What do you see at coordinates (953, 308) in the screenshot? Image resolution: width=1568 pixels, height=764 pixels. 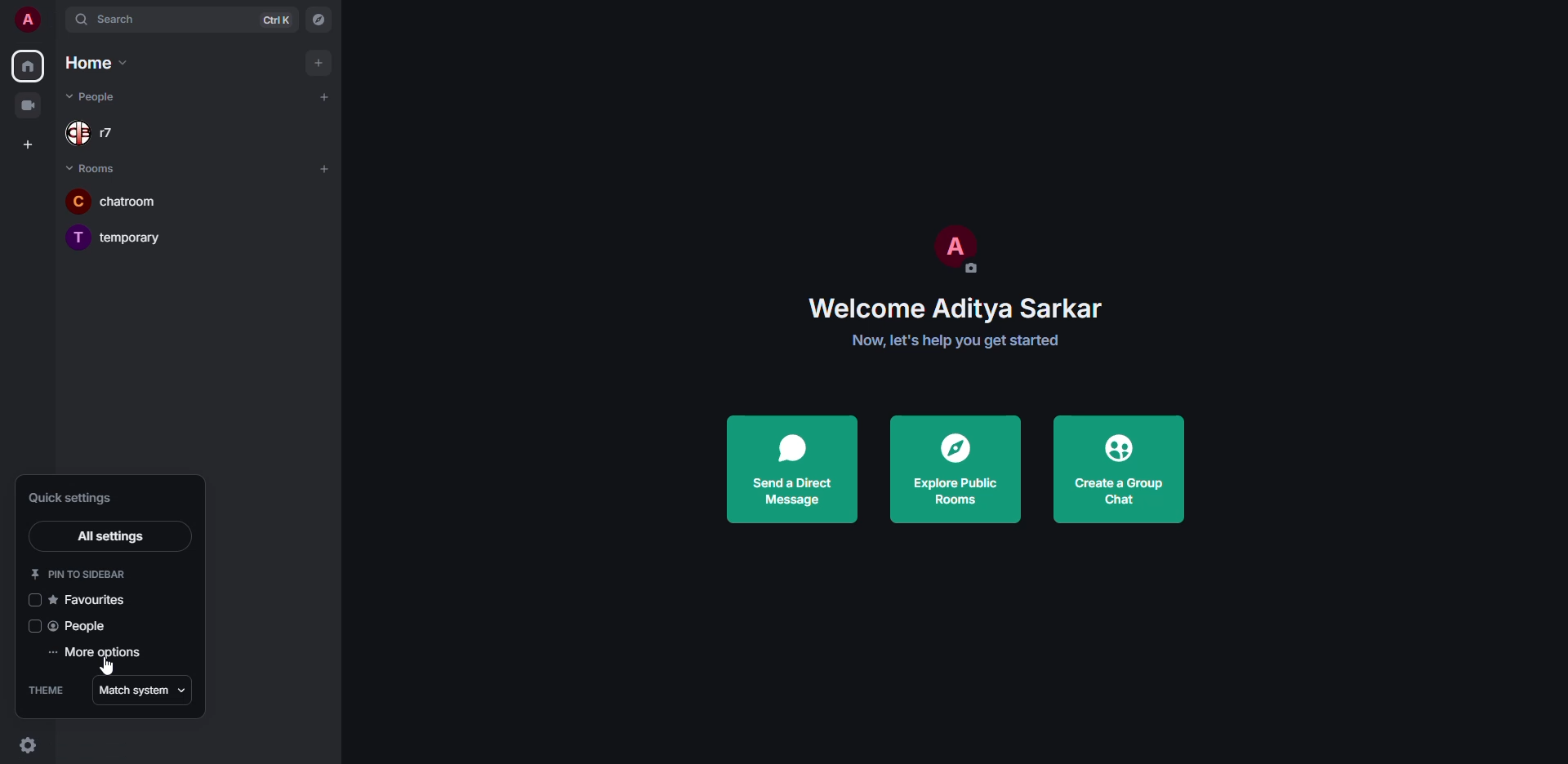 I see `welcome` at bounding box center [953, 308].